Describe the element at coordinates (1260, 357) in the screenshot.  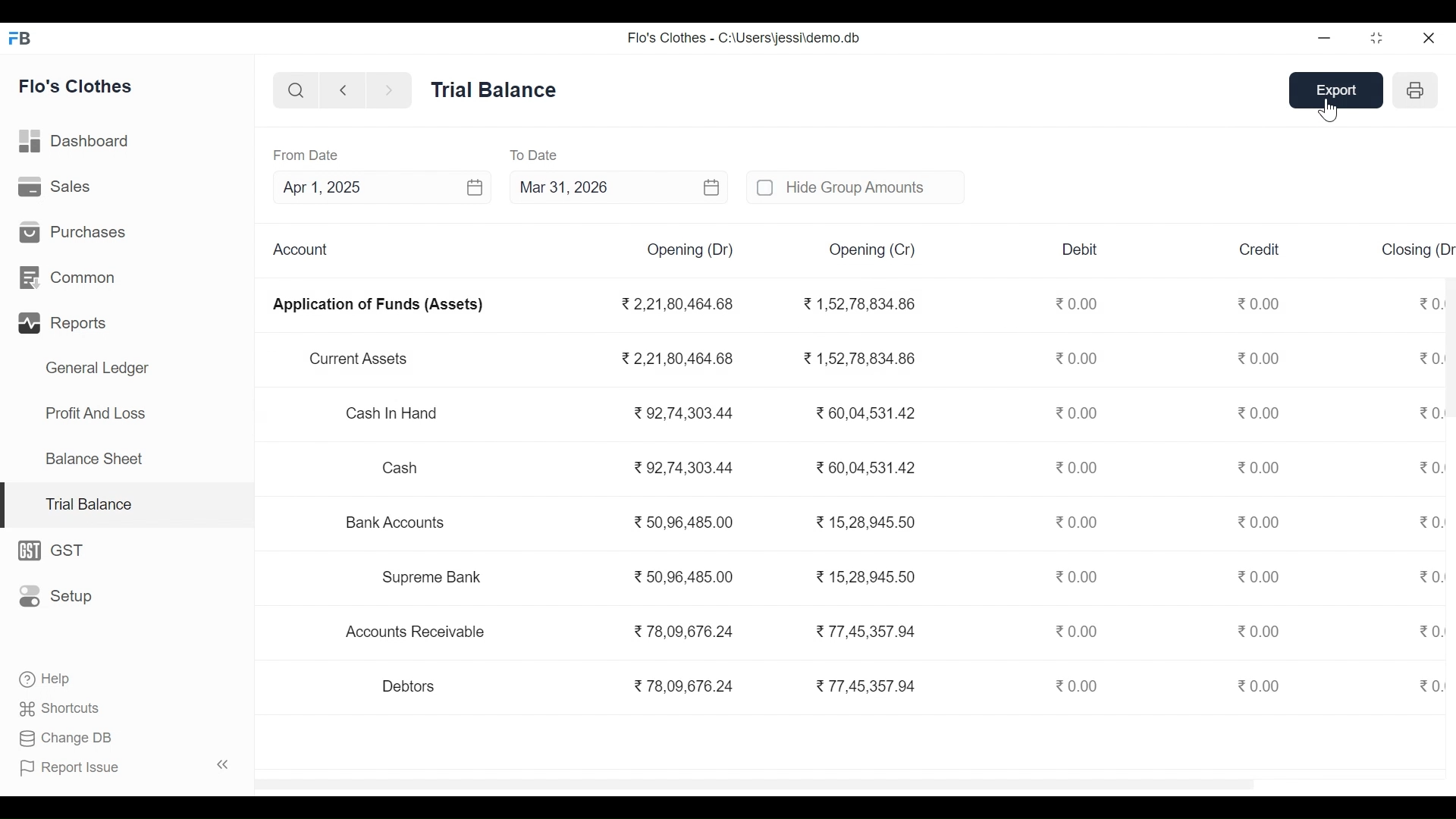
I see `0.00` at that location.